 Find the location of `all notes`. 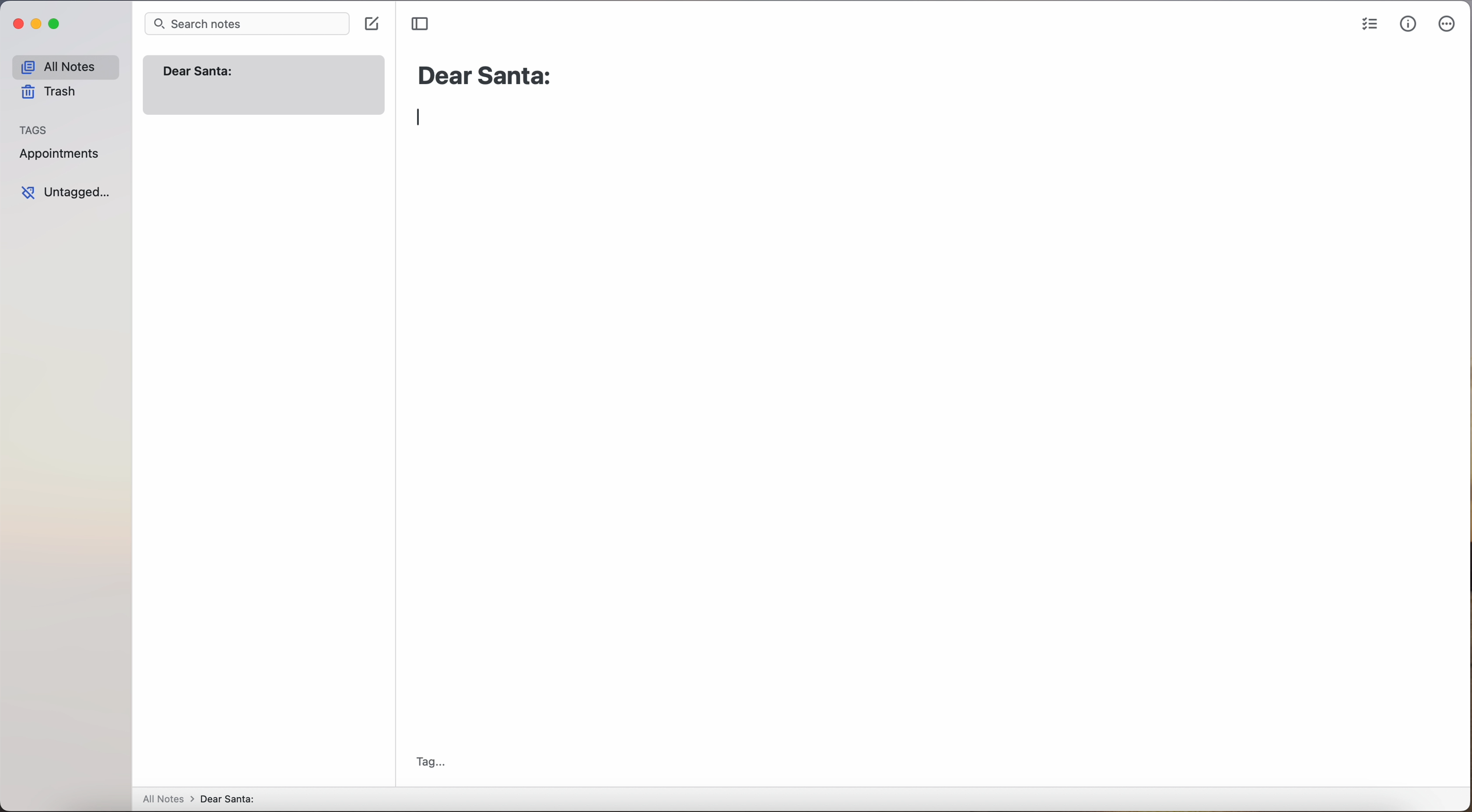

all notes is located at coordinates (166, 798).